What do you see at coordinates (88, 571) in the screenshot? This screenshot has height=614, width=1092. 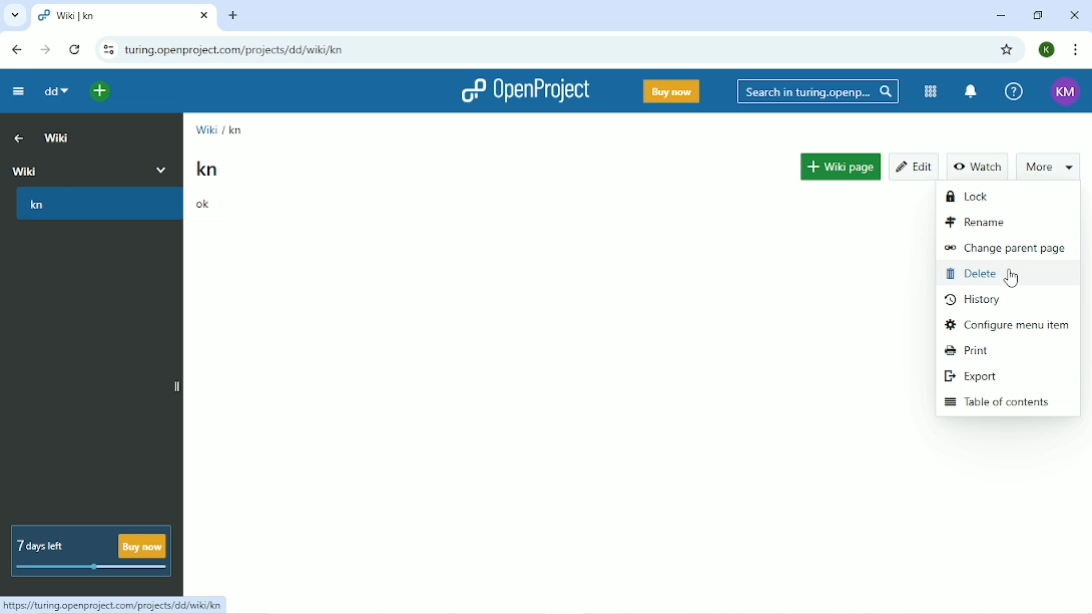 I see `meter` at bounding box center [88, 571].